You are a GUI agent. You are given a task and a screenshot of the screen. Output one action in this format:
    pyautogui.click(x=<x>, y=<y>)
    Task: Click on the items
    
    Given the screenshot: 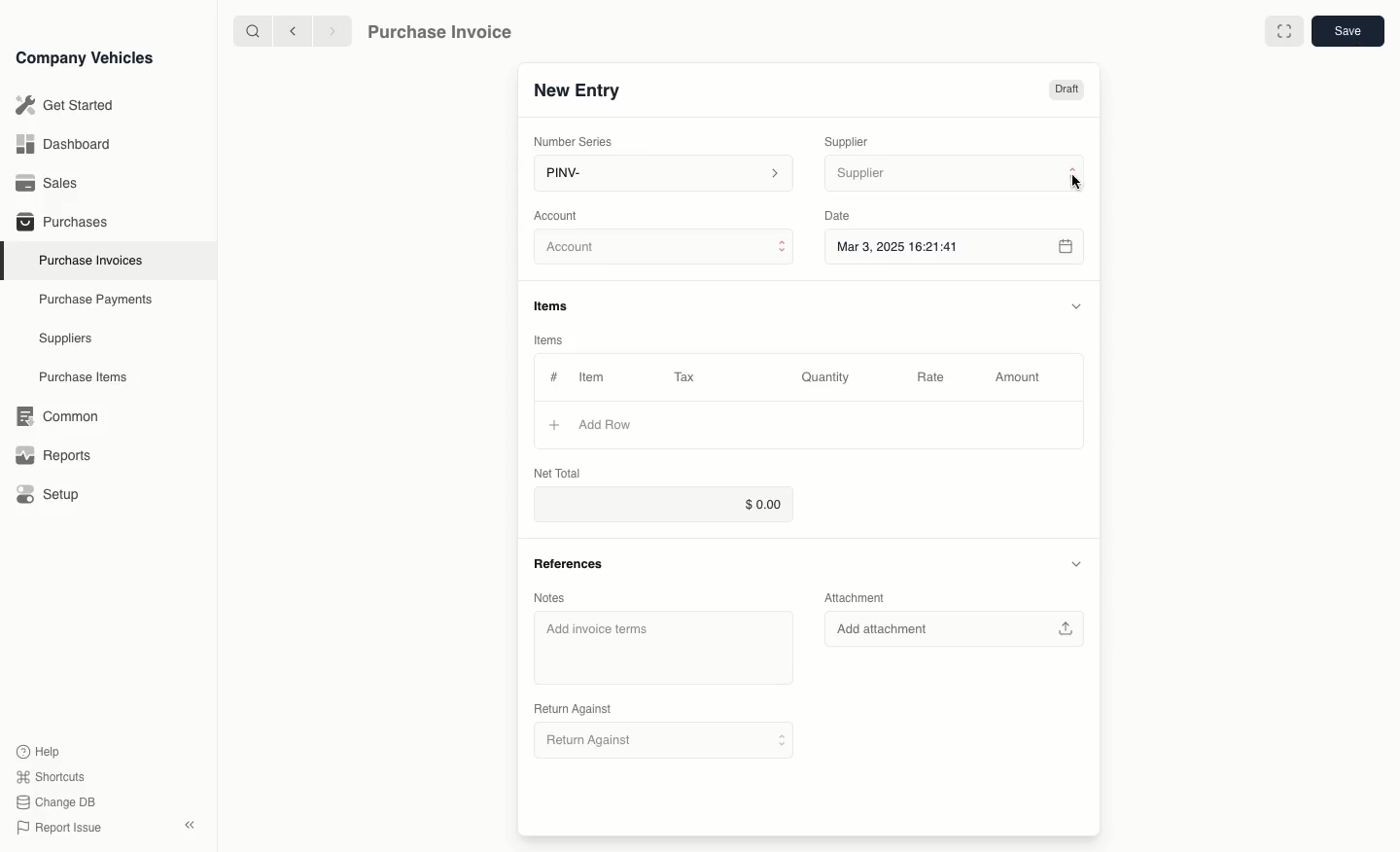 What is the action you would take?
    pyautogui.click(x=552, y=339)
    